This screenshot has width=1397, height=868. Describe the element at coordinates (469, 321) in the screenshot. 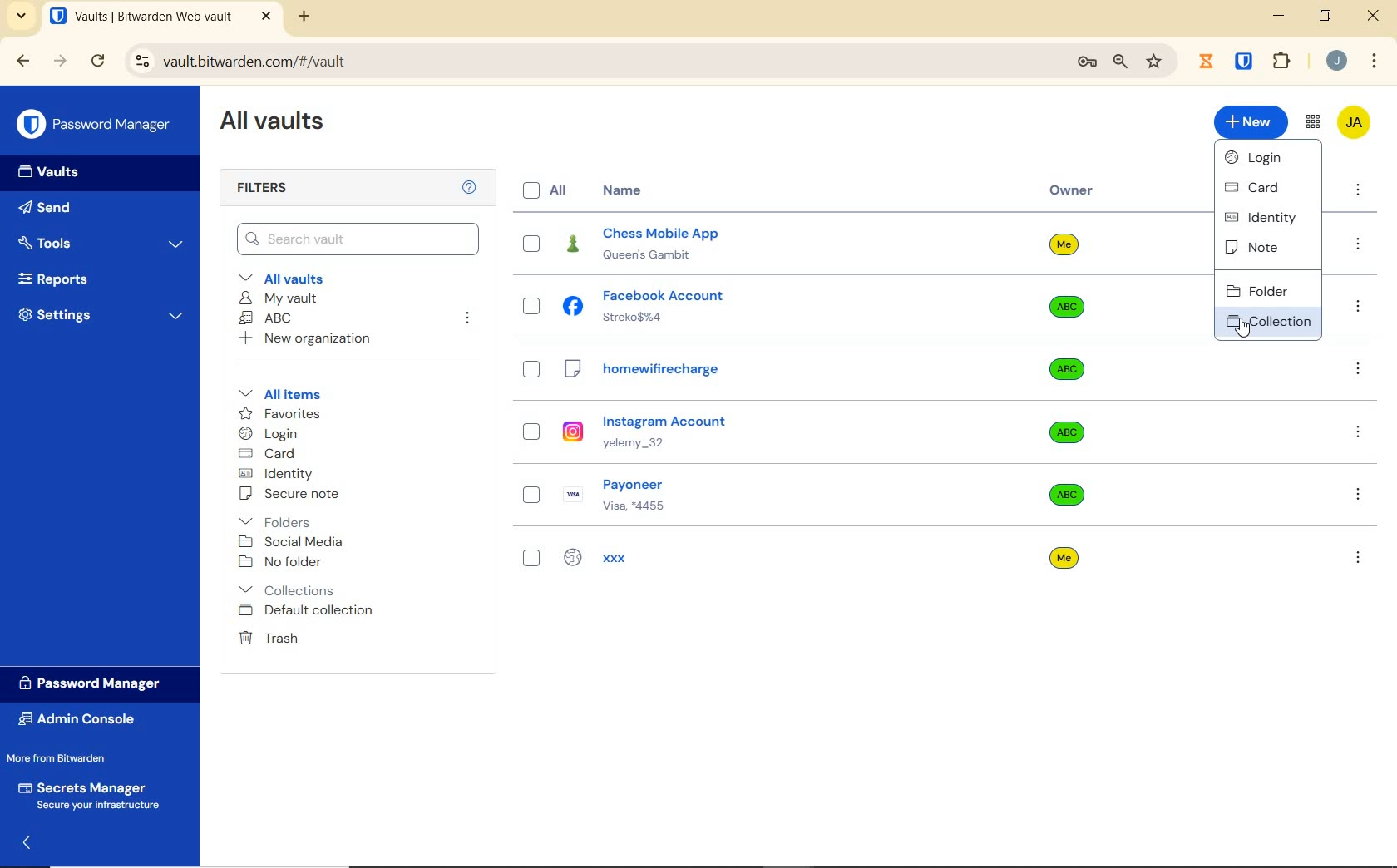

I see `leave` at that location.